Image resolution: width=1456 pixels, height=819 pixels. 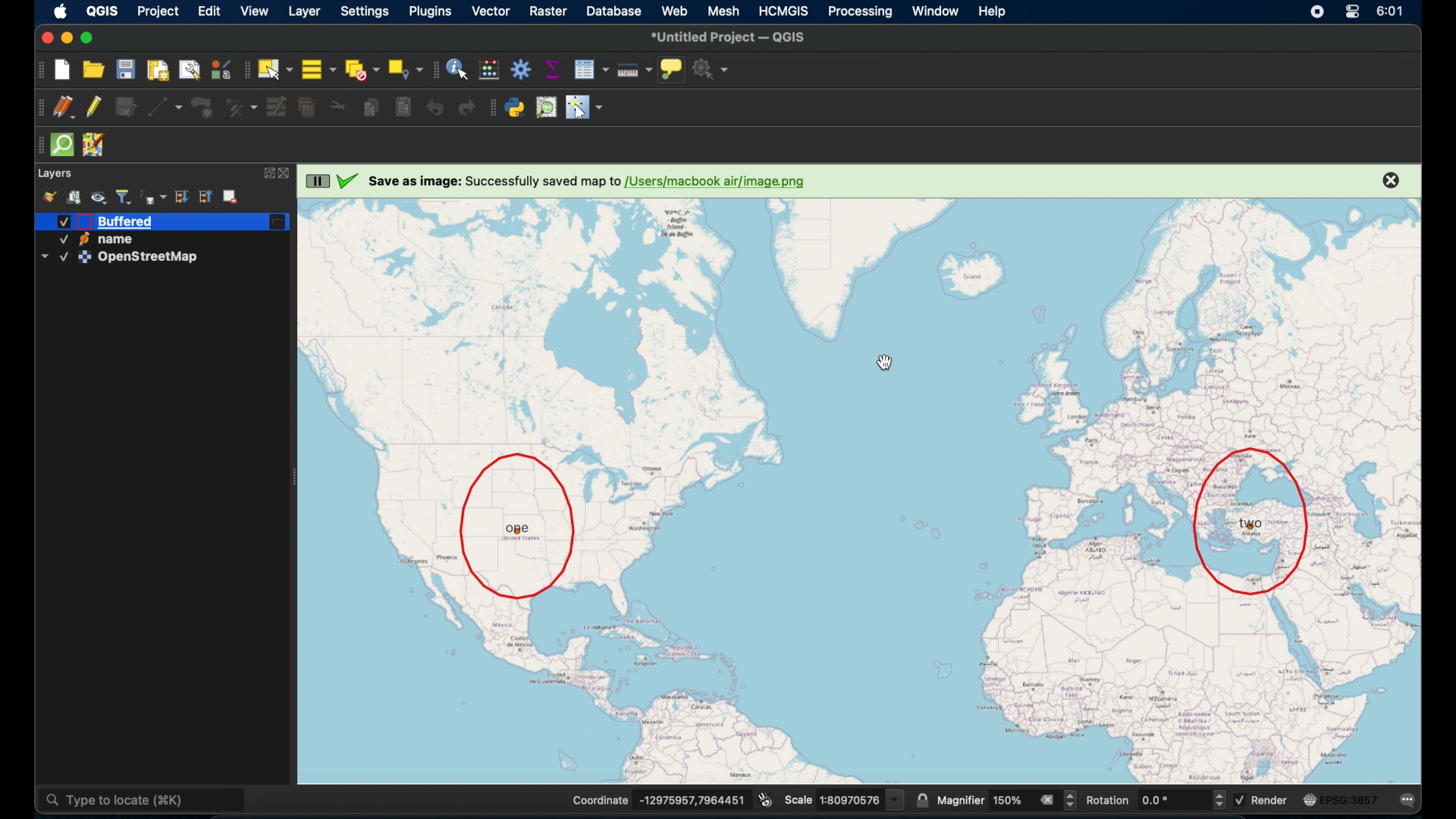 I want to click on EPSG:3875, so click(x=1351, y=800).